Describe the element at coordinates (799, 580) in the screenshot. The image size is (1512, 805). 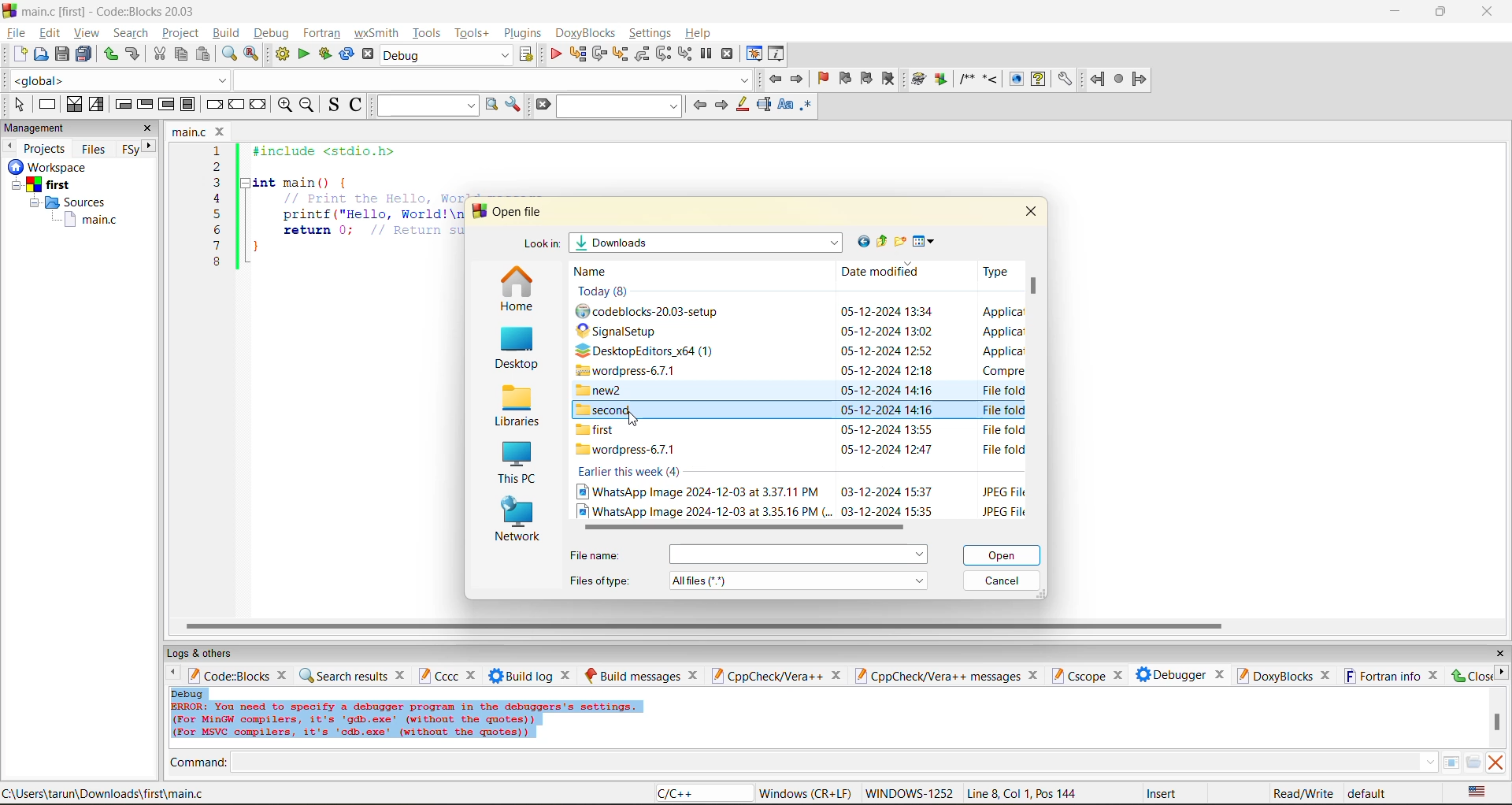
I see `file type menu` at that location.